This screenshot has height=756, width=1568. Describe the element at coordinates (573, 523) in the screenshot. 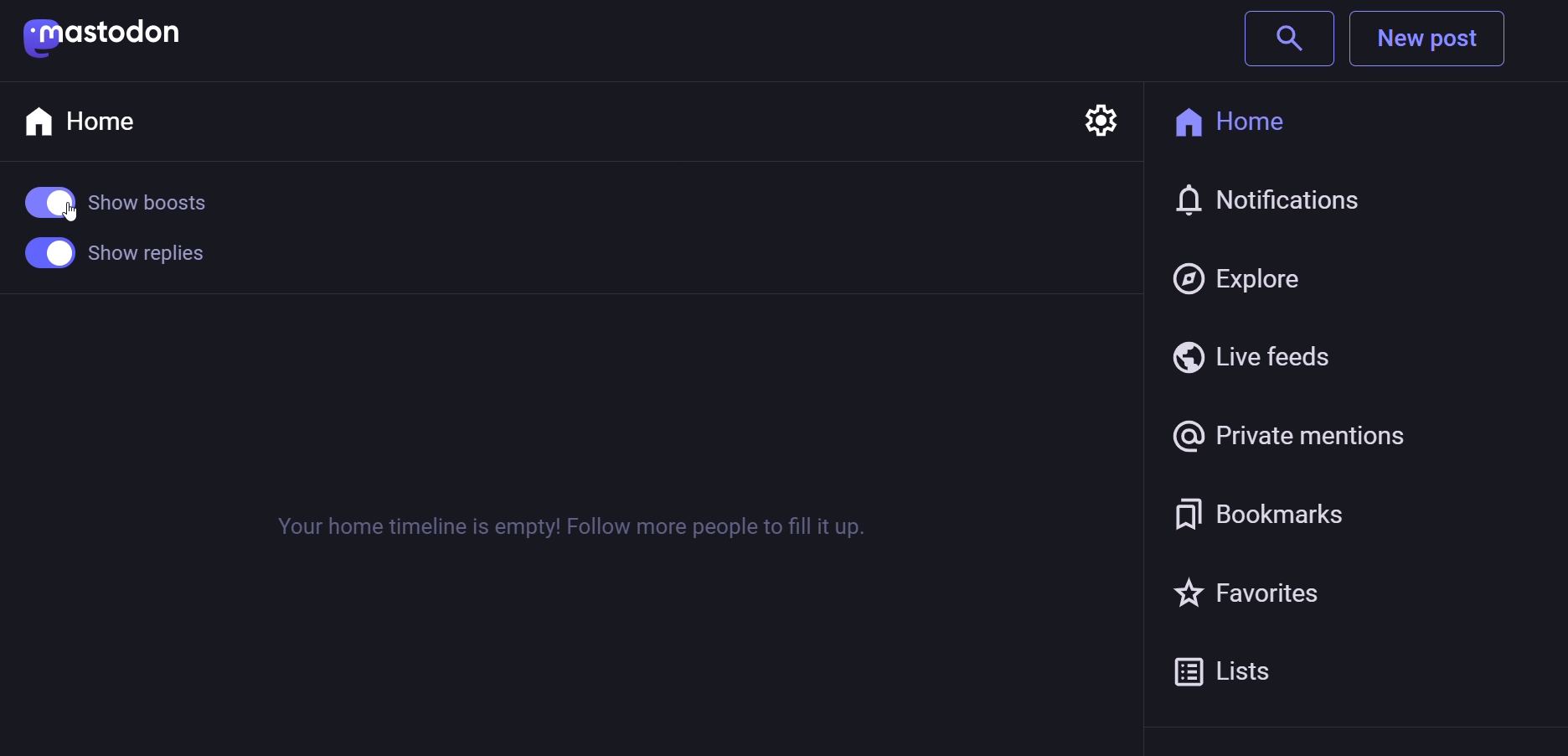

I see `Your home timeline is empty! Follow more people to fill it up.` at that location.